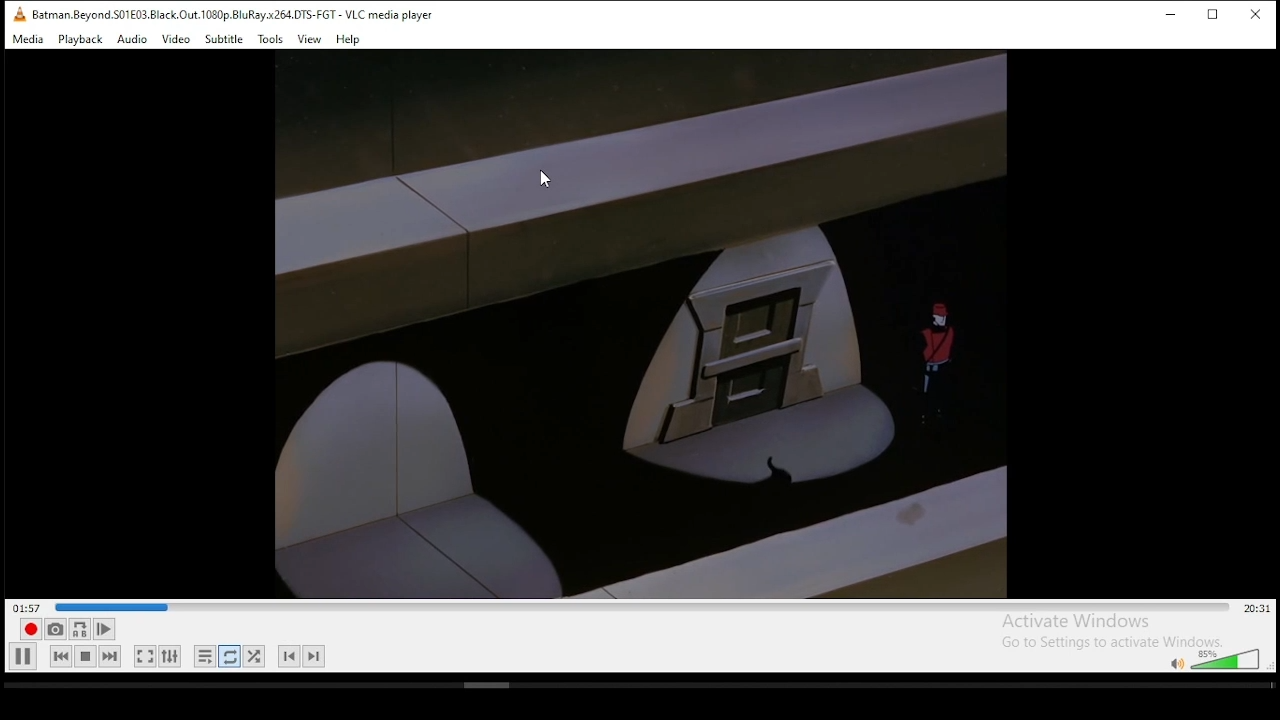 The width and height of the screenshot is (1280, 720). I want to click on stop, so click(84, 656).